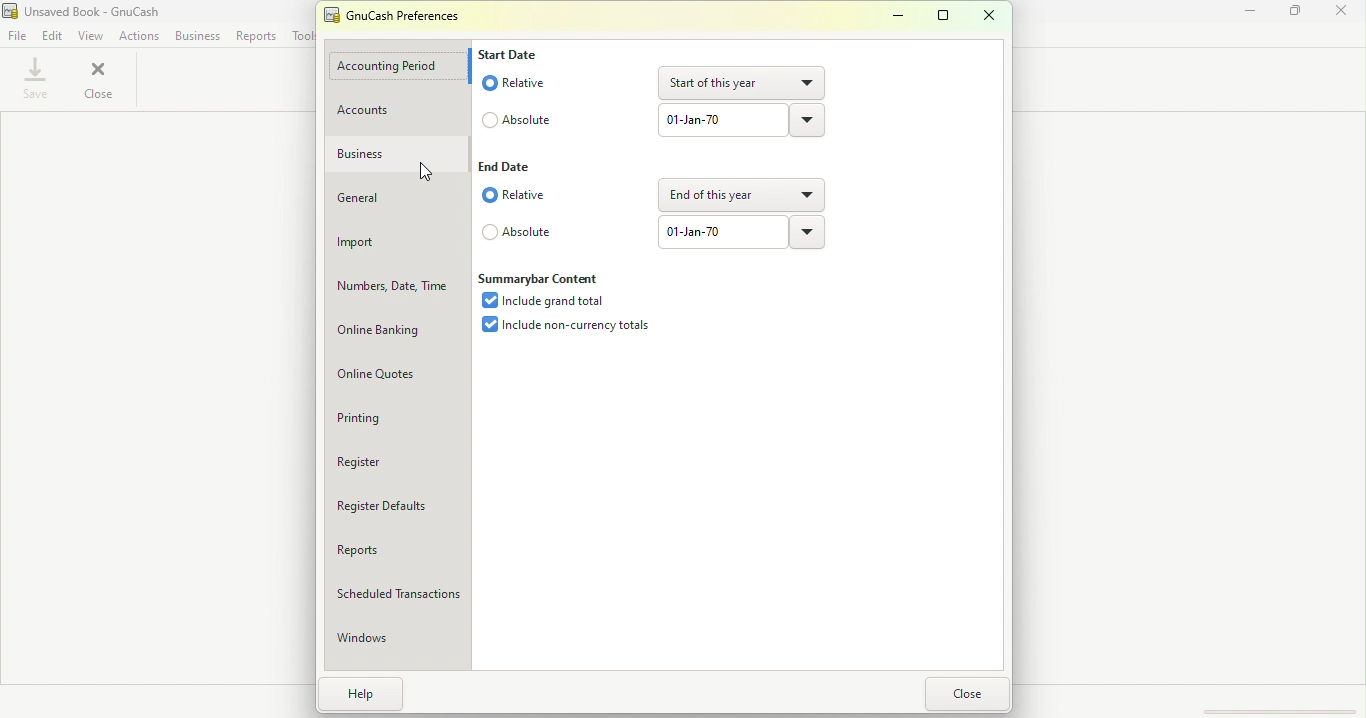 The height and width of the screenshot is (718, 1366). Describe the element at coordinates (399, 242) in the screenshot. I see `Import` at that location.